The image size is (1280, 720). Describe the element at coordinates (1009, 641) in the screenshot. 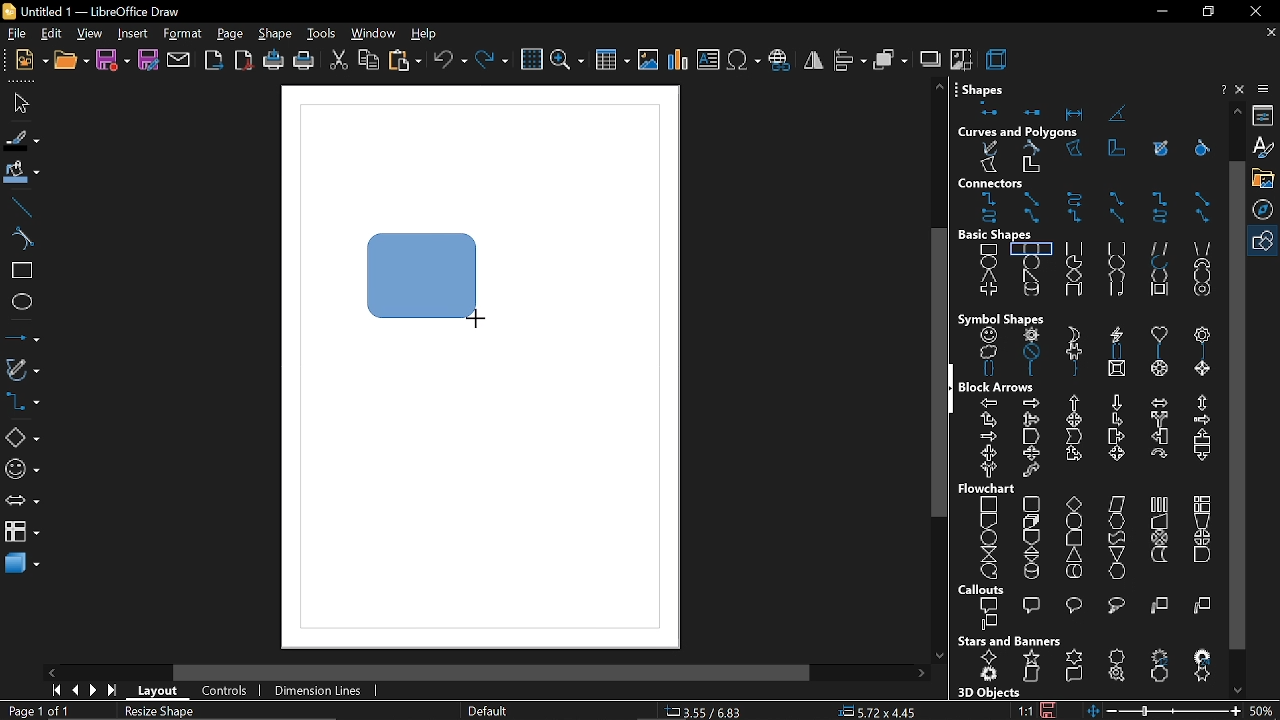

I see `stars and banners` at that location.